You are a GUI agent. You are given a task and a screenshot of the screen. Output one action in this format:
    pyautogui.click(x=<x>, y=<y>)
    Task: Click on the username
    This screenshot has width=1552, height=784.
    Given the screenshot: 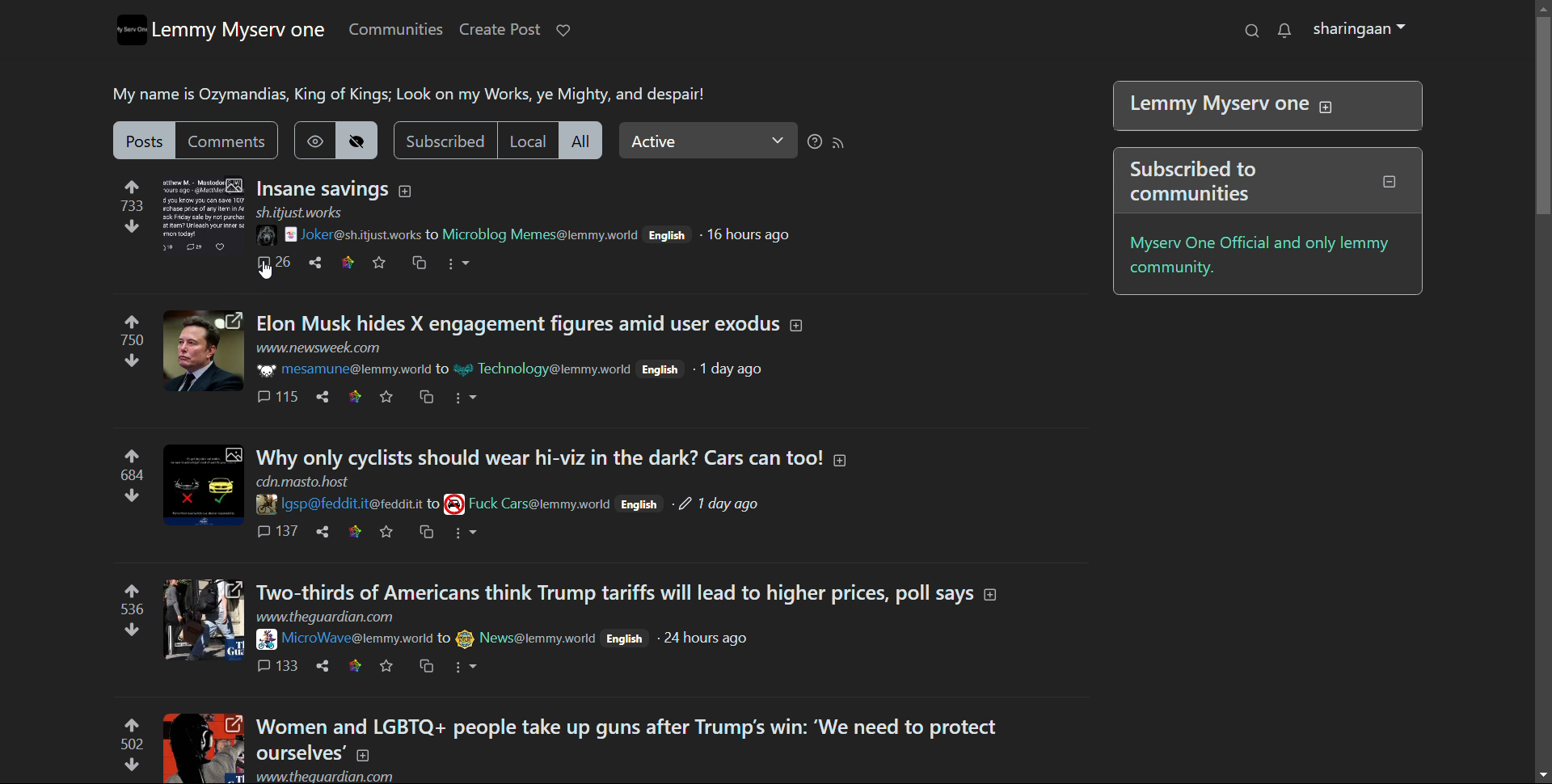 What is the action you would take?
    pyautogui.click(x=354, y=369)
    